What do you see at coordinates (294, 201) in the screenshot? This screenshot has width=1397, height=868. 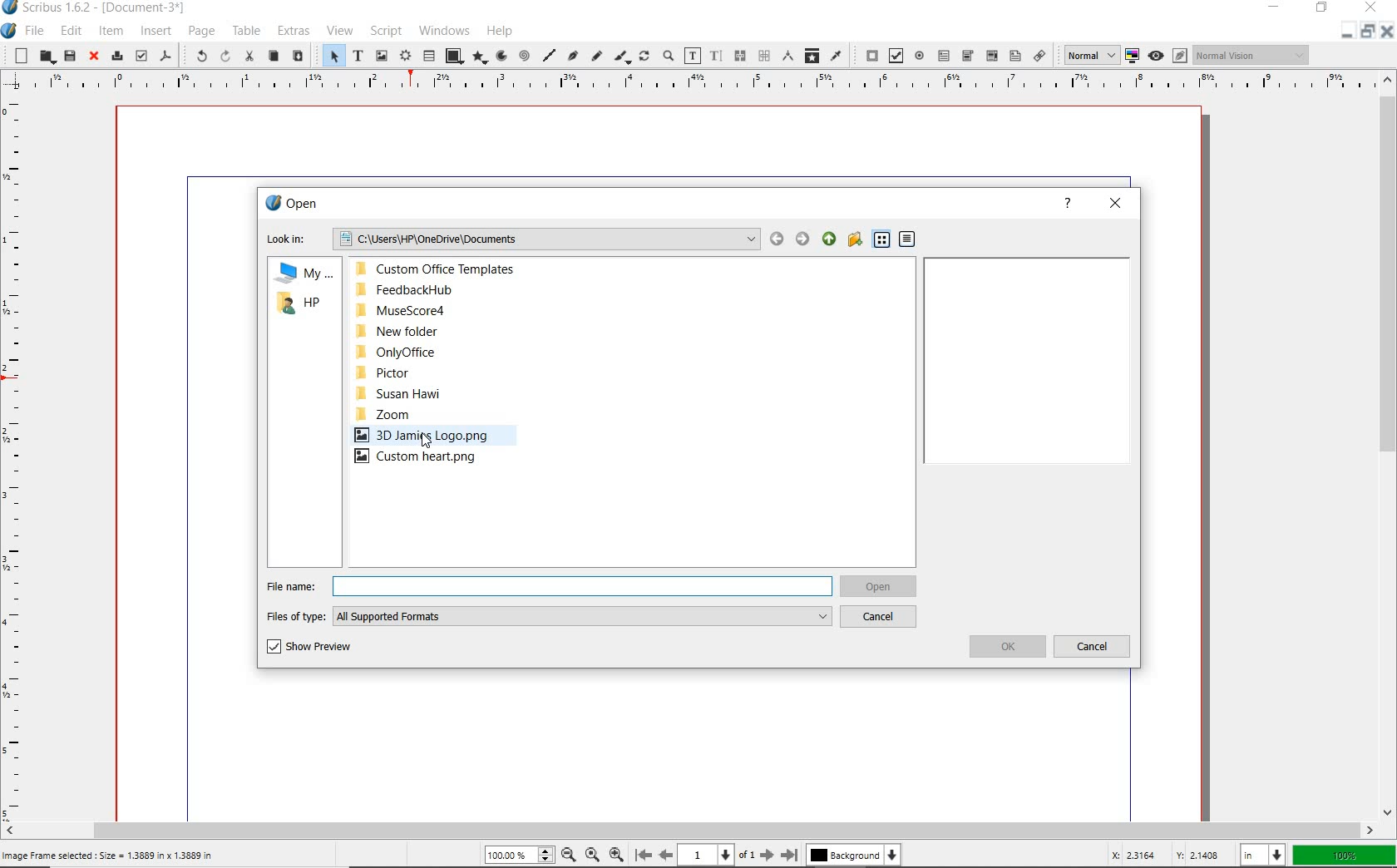 I see `OPEN` at bounding box center [294, 201].